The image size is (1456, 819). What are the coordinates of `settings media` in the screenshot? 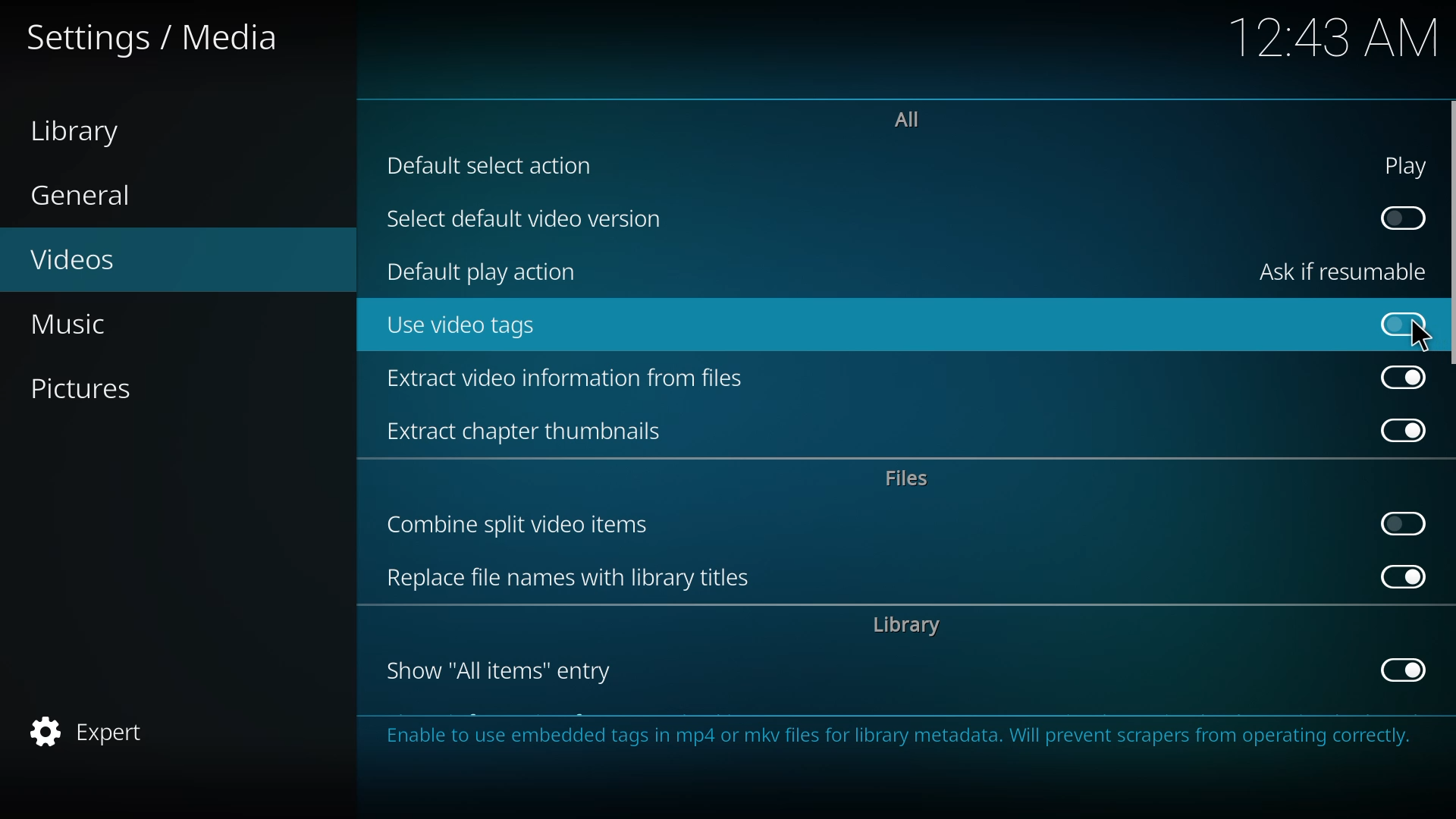 It's located at (161, 39).